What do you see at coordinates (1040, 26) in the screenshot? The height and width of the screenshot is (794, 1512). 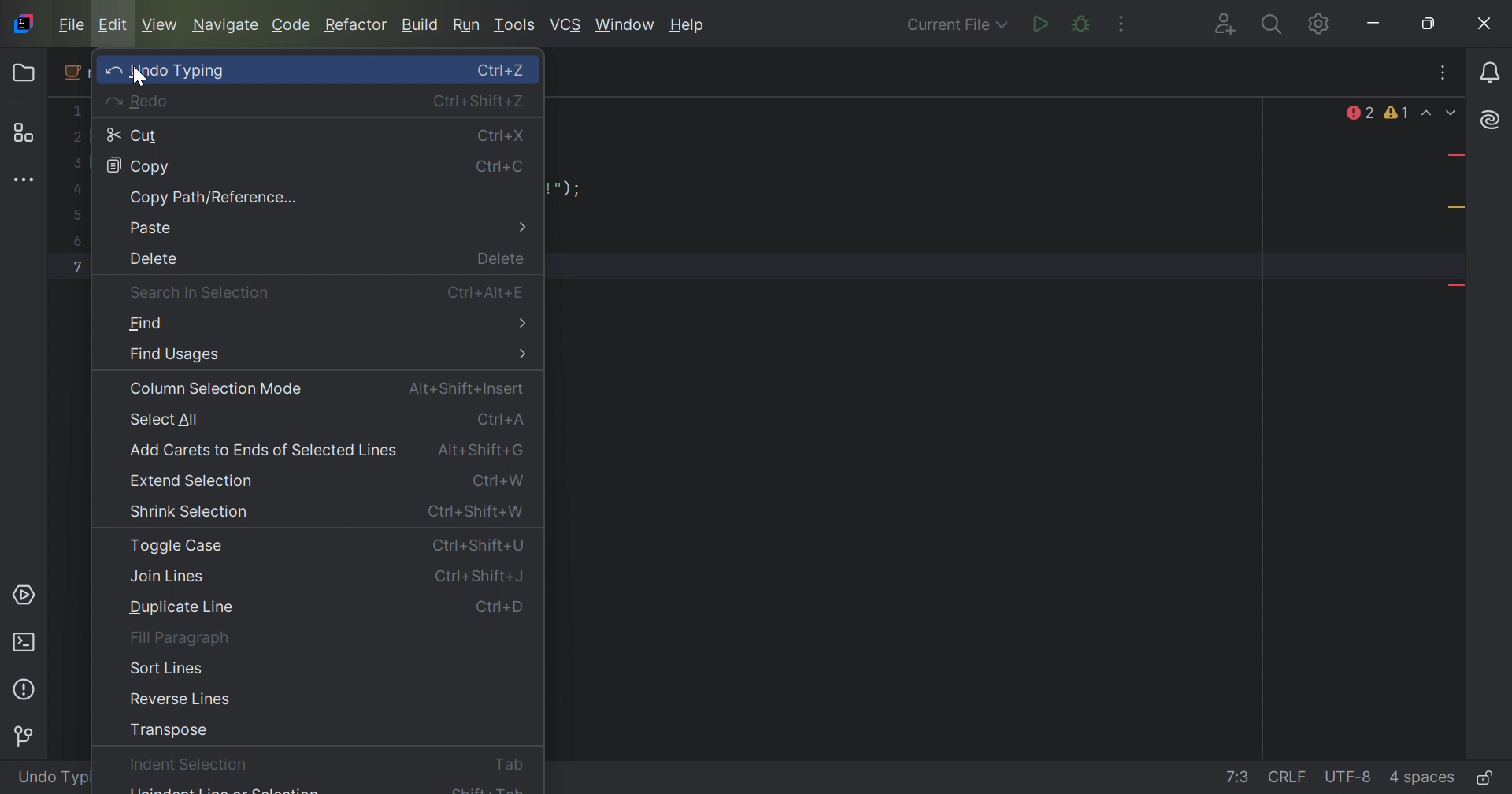 I see `Run` at bounding box center [1040, 26].